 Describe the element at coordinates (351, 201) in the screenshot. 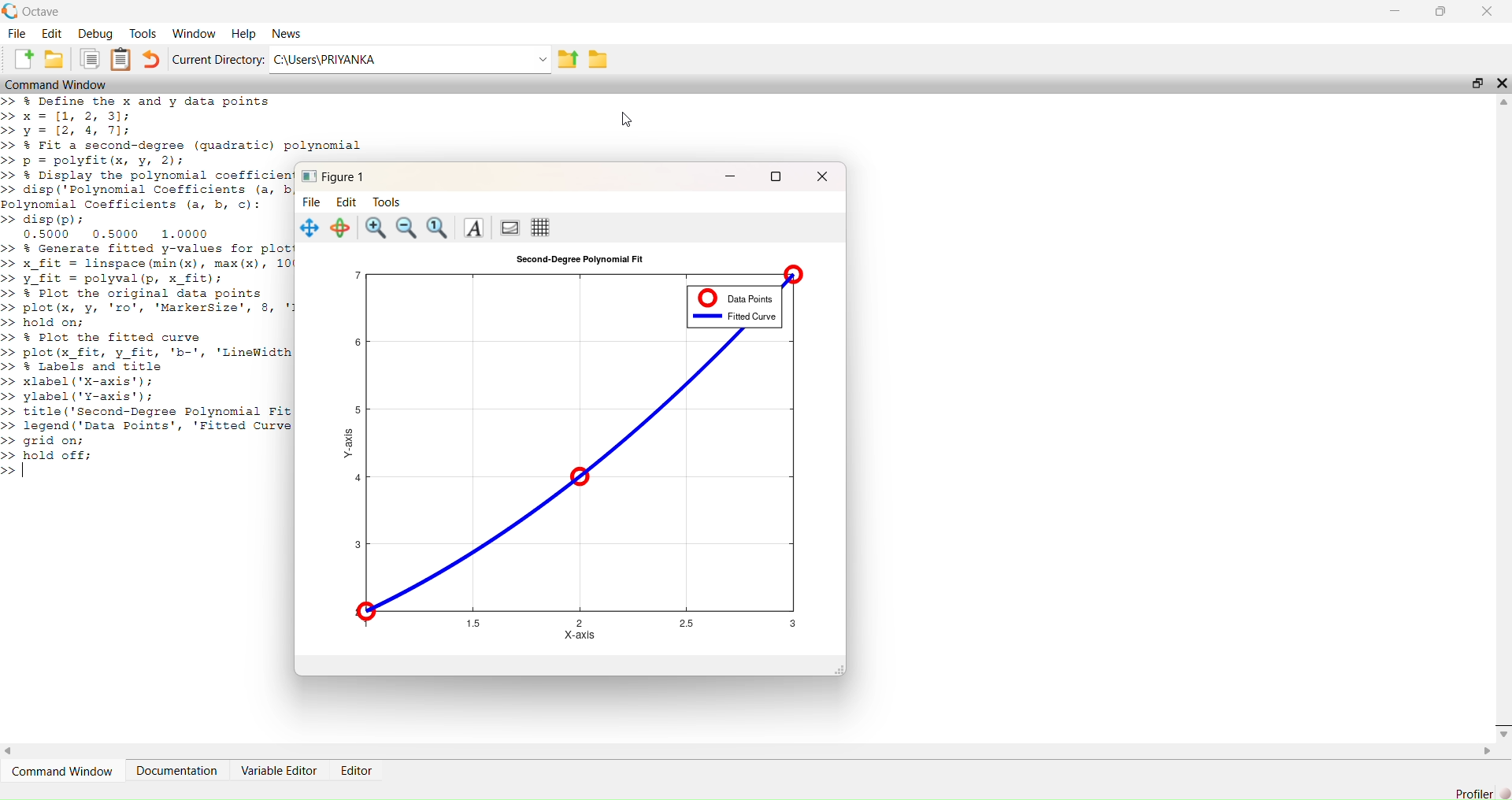

I see `Edit` at that location.